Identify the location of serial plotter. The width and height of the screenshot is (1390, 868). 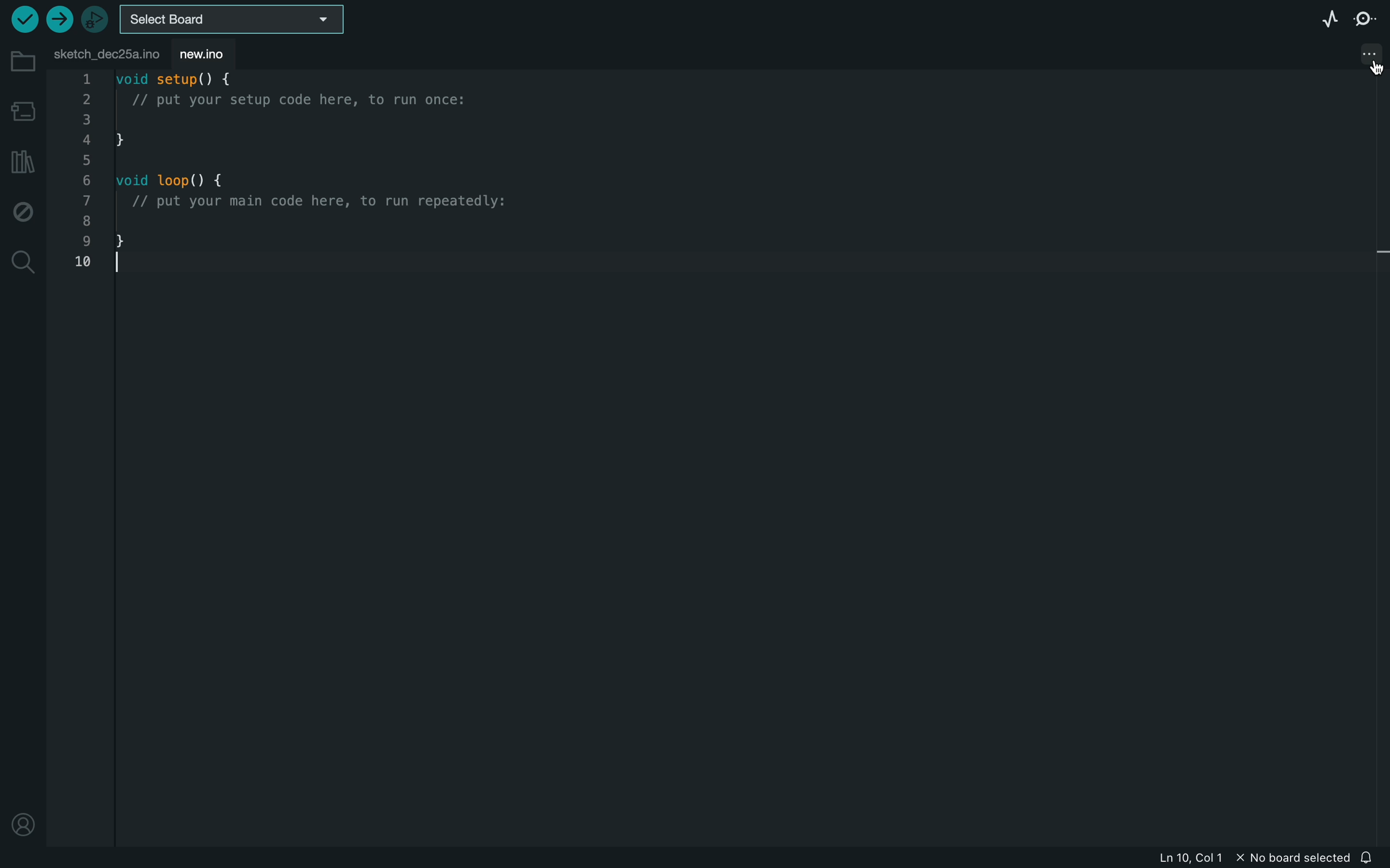
(1321, 20).